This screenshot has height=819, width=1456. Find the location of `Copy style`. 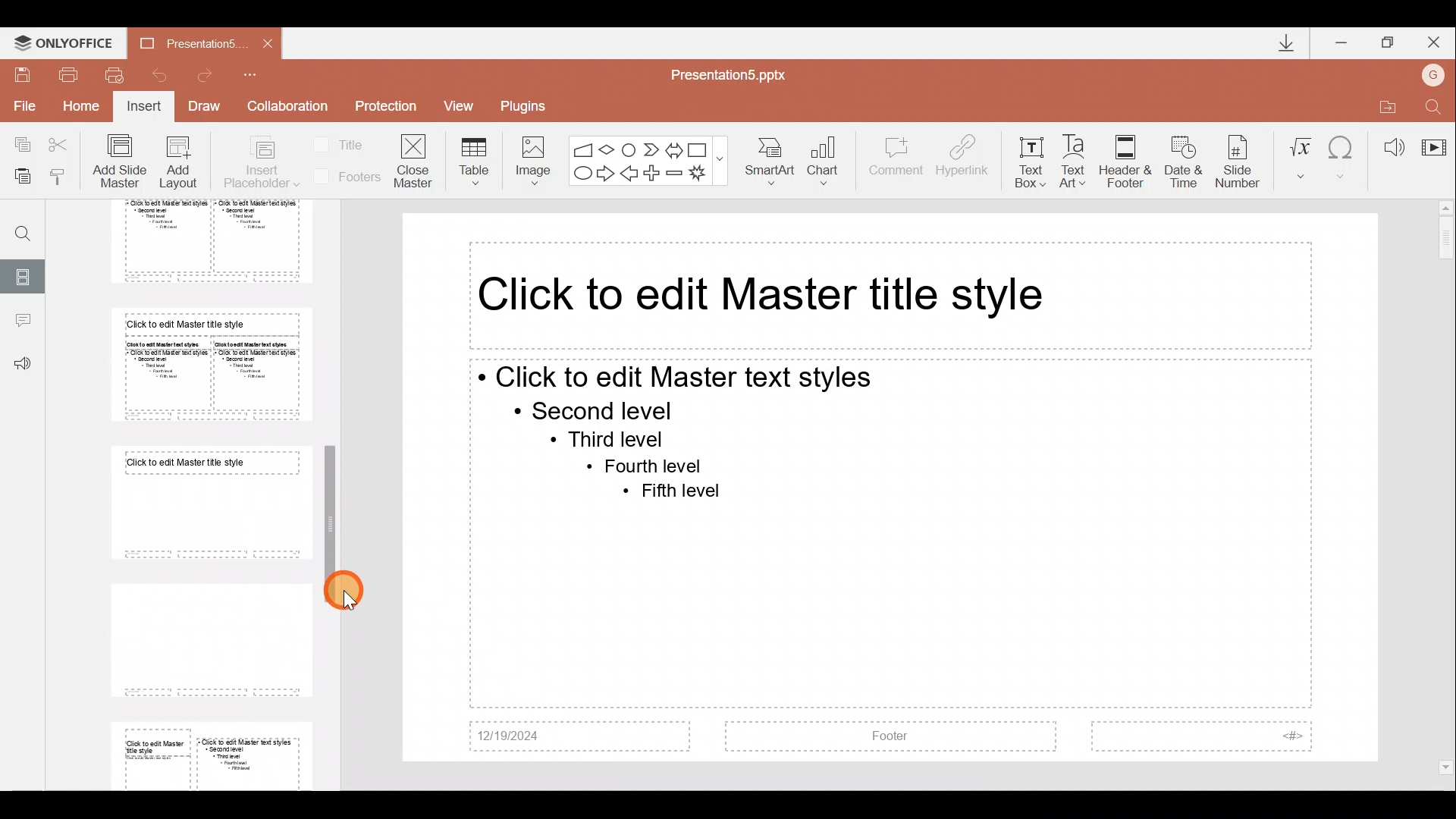

Copy style is located at coordinates (64, 176).